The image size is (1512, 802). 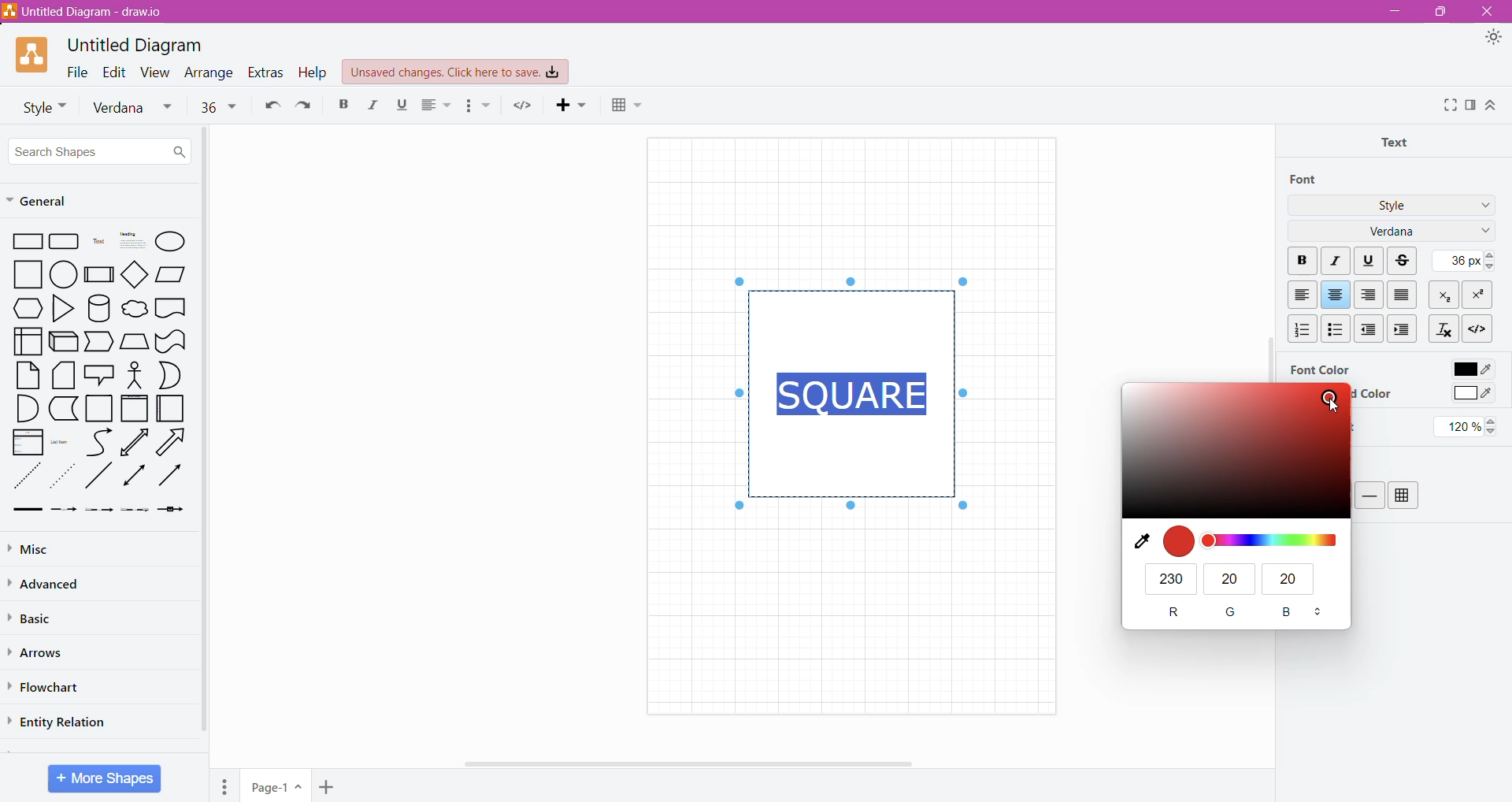 What do you see at coordinates (136, 108) in the screenshot?
I see `Font type` at bounding box center [136, 108].